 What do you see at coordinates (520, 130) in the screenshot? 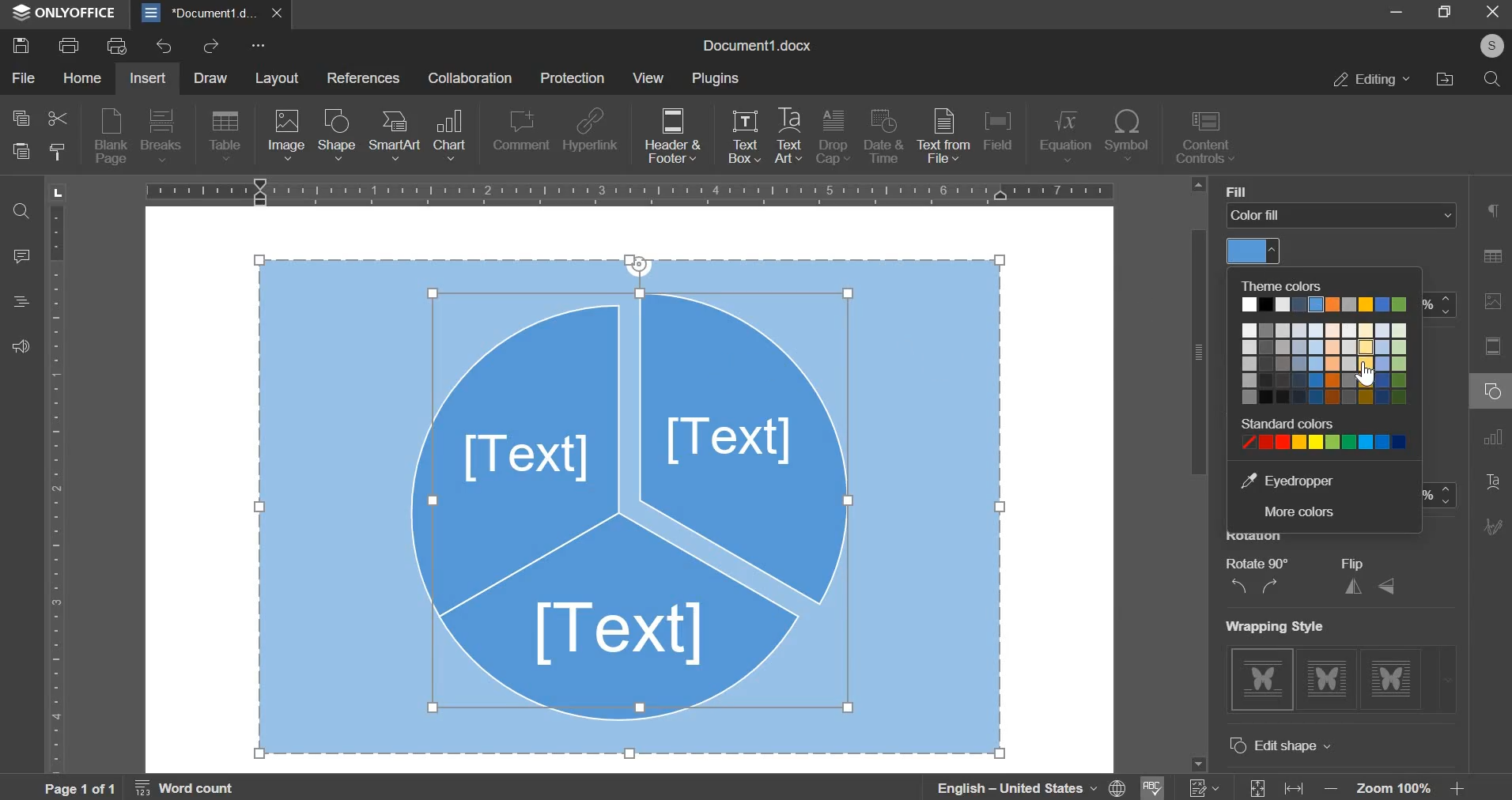
I see `comment` at bounding box center [520, 130].